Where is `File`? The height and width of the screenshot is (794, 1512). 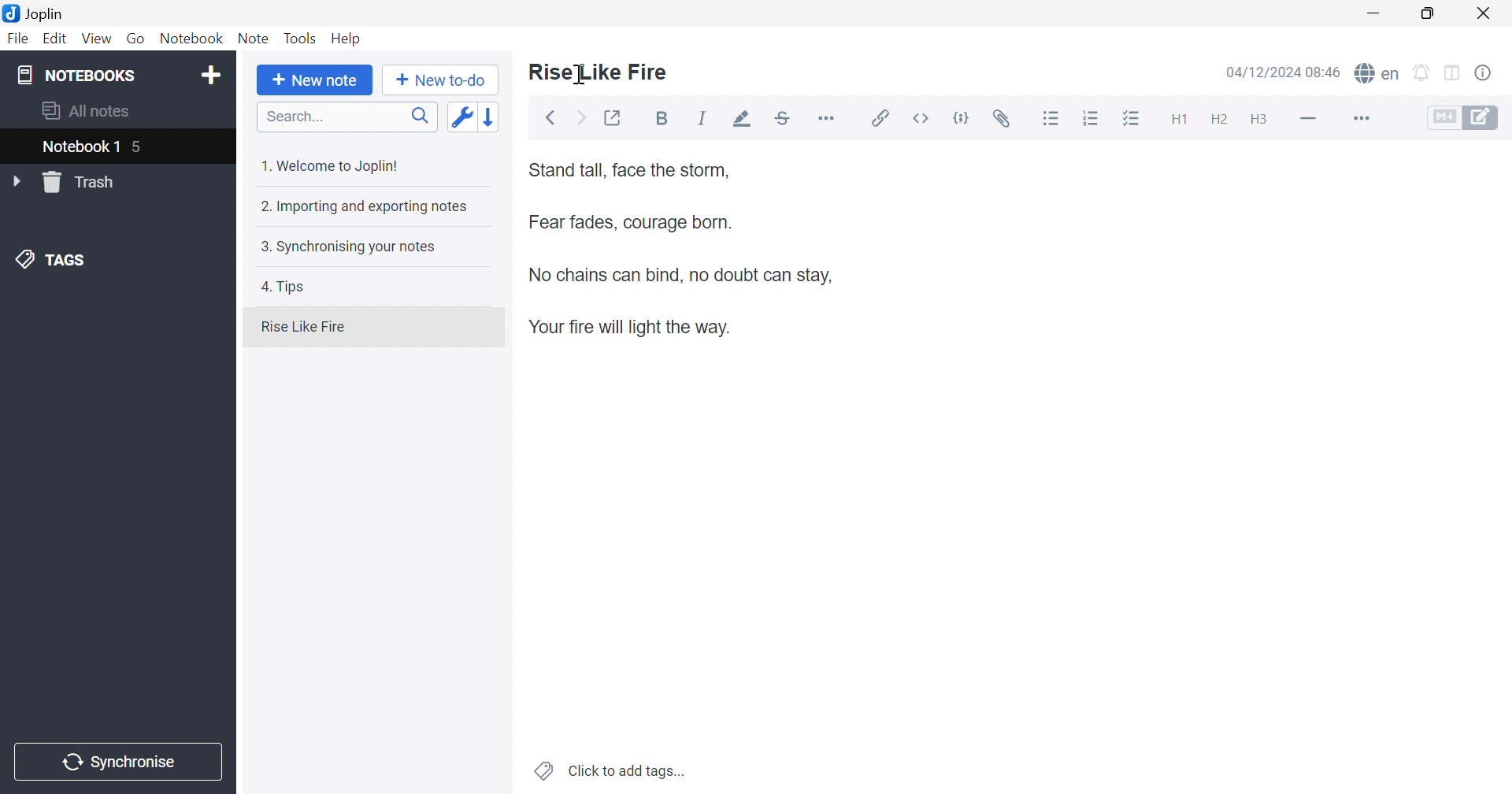 File is located at coordinates (18, 38).